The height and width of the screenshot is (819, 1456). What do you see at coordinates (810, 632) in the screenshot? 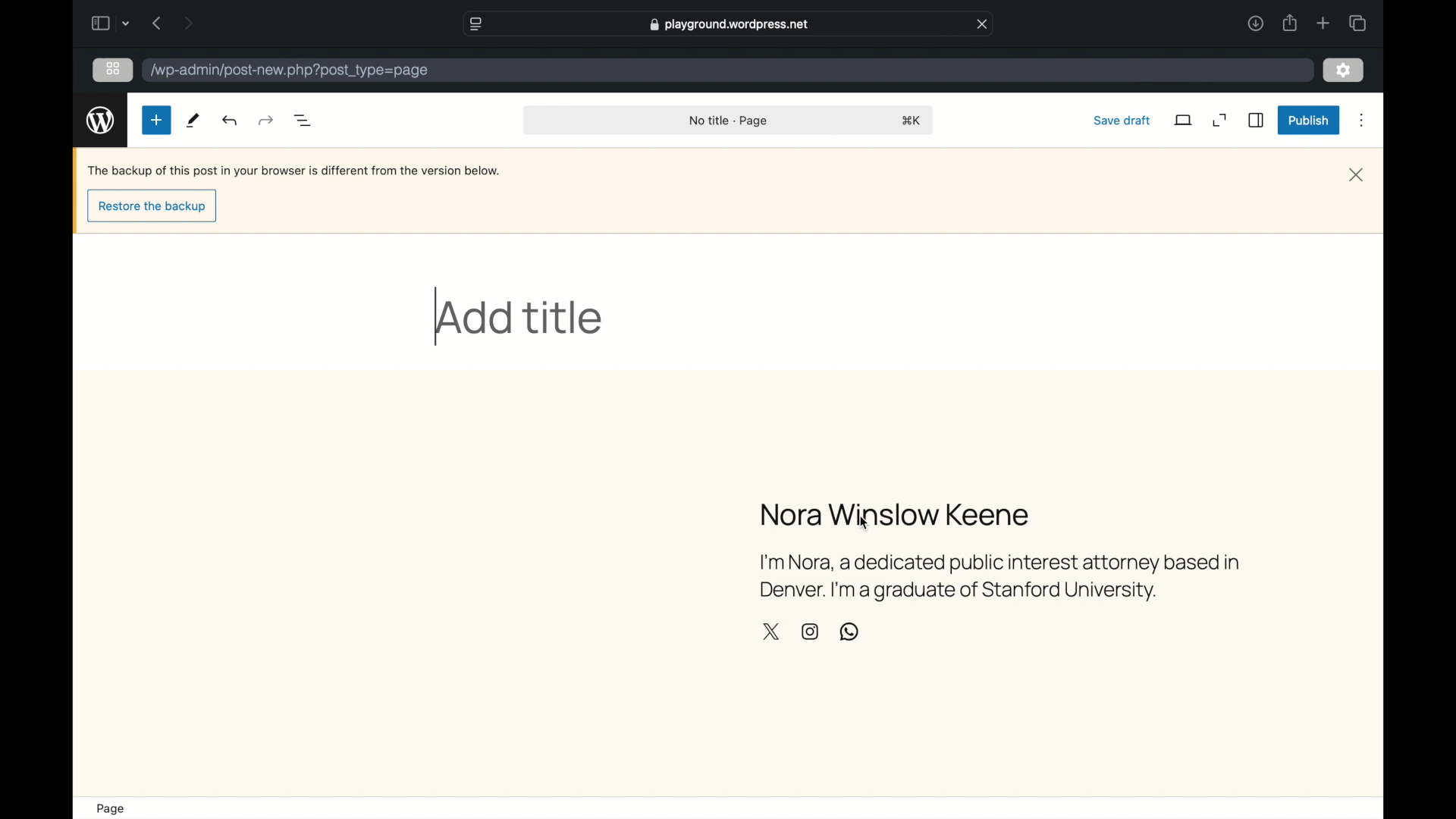
I see `instagram` at bounding box center [810, 632].